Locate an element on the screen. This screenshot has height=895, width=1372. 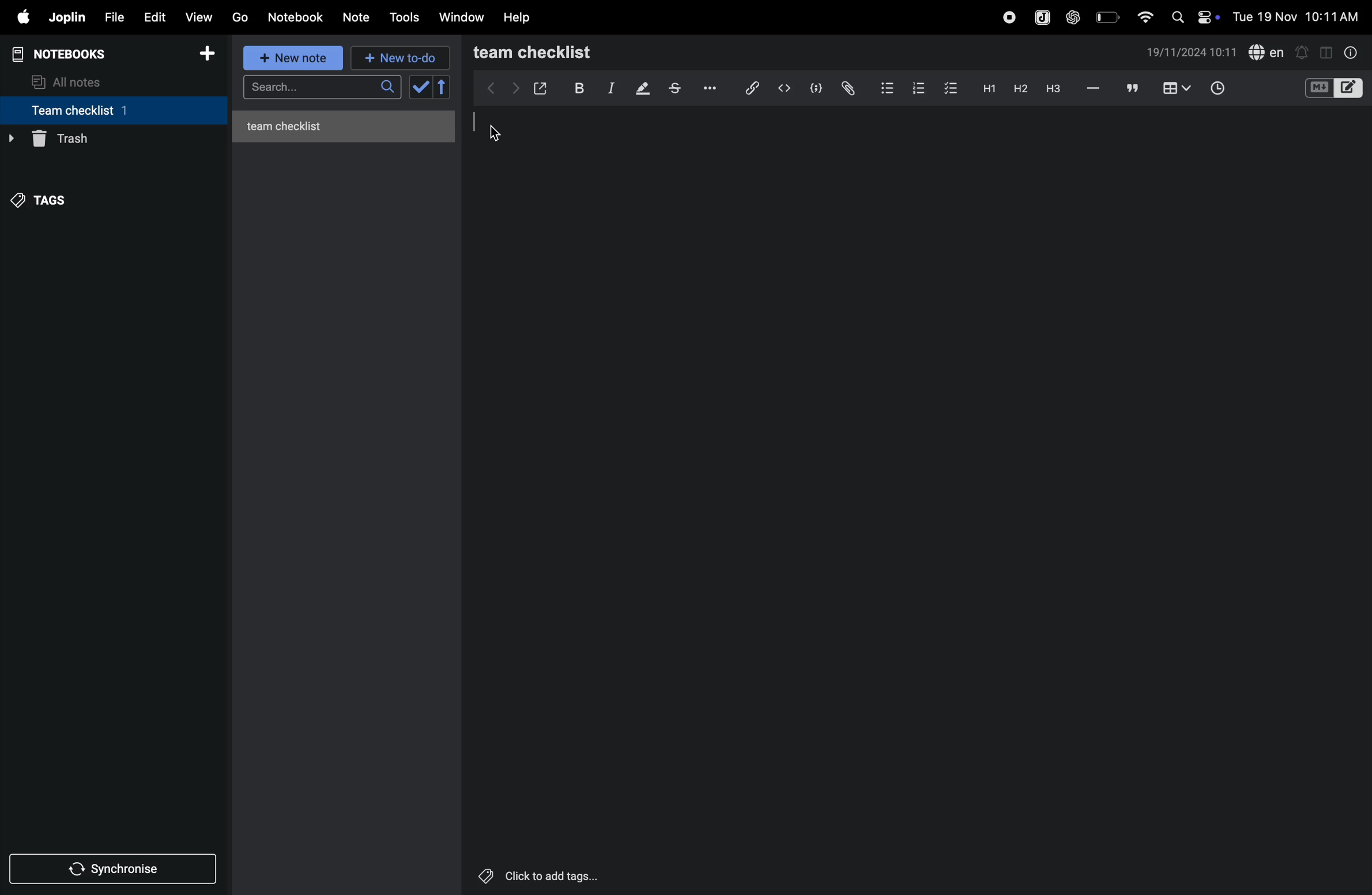
bullet list is located at coordinates (884, 88).